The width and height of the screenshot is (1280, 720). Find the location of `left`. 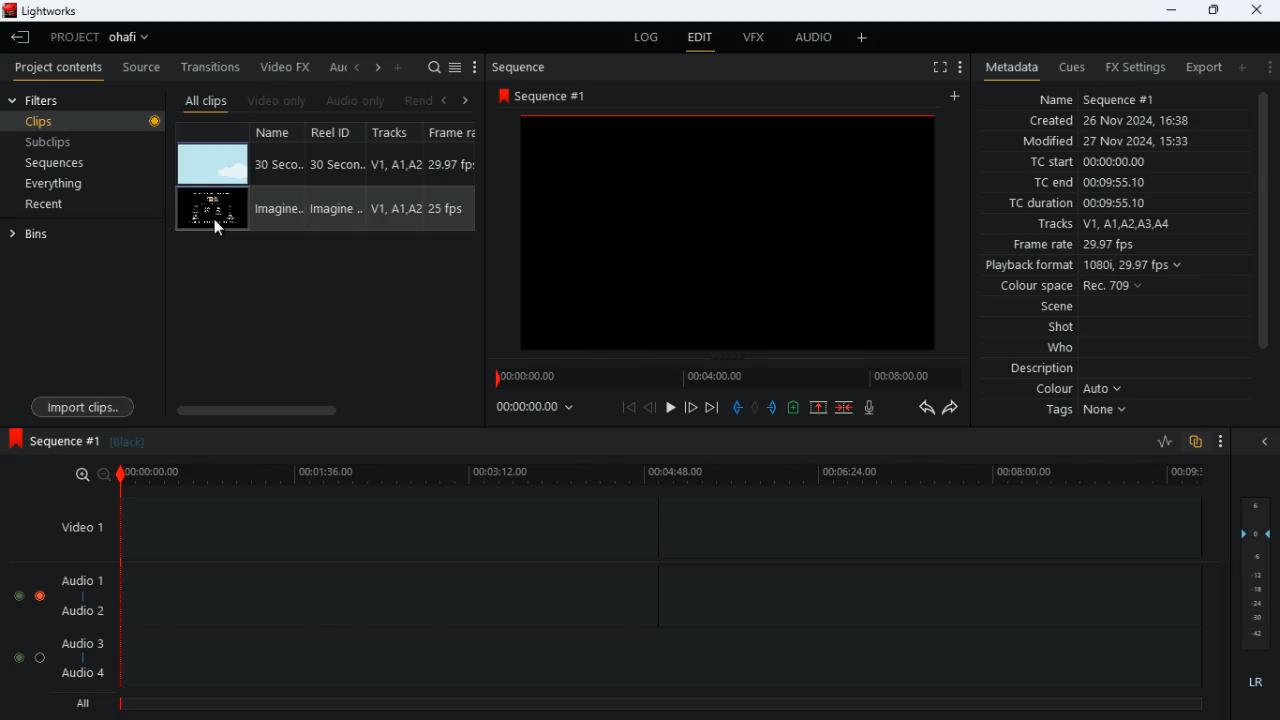

left is located at coordinates (360, 69).